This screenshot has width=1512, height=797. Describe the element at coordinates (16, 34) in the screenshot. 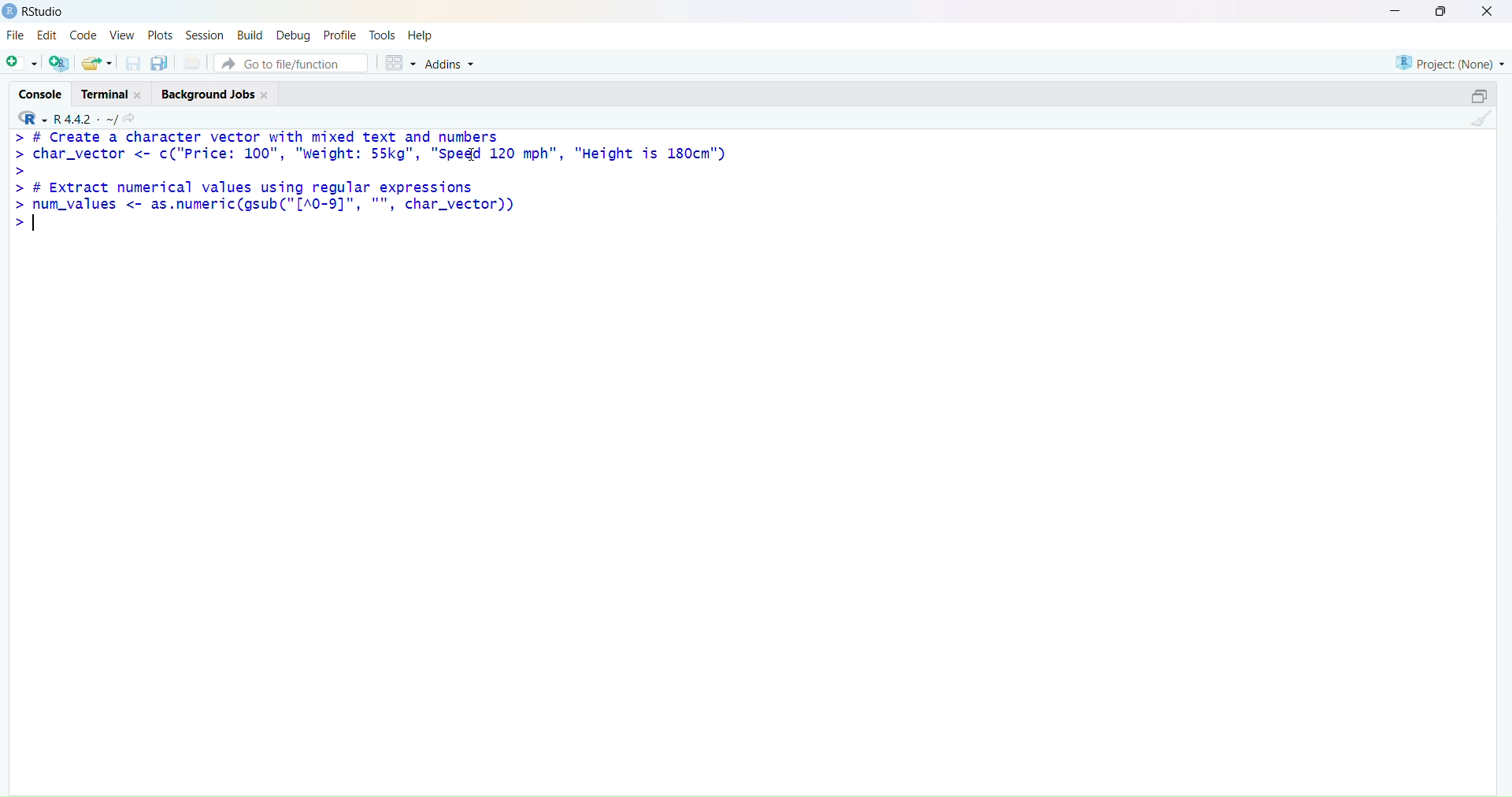

I see `file` at that location.